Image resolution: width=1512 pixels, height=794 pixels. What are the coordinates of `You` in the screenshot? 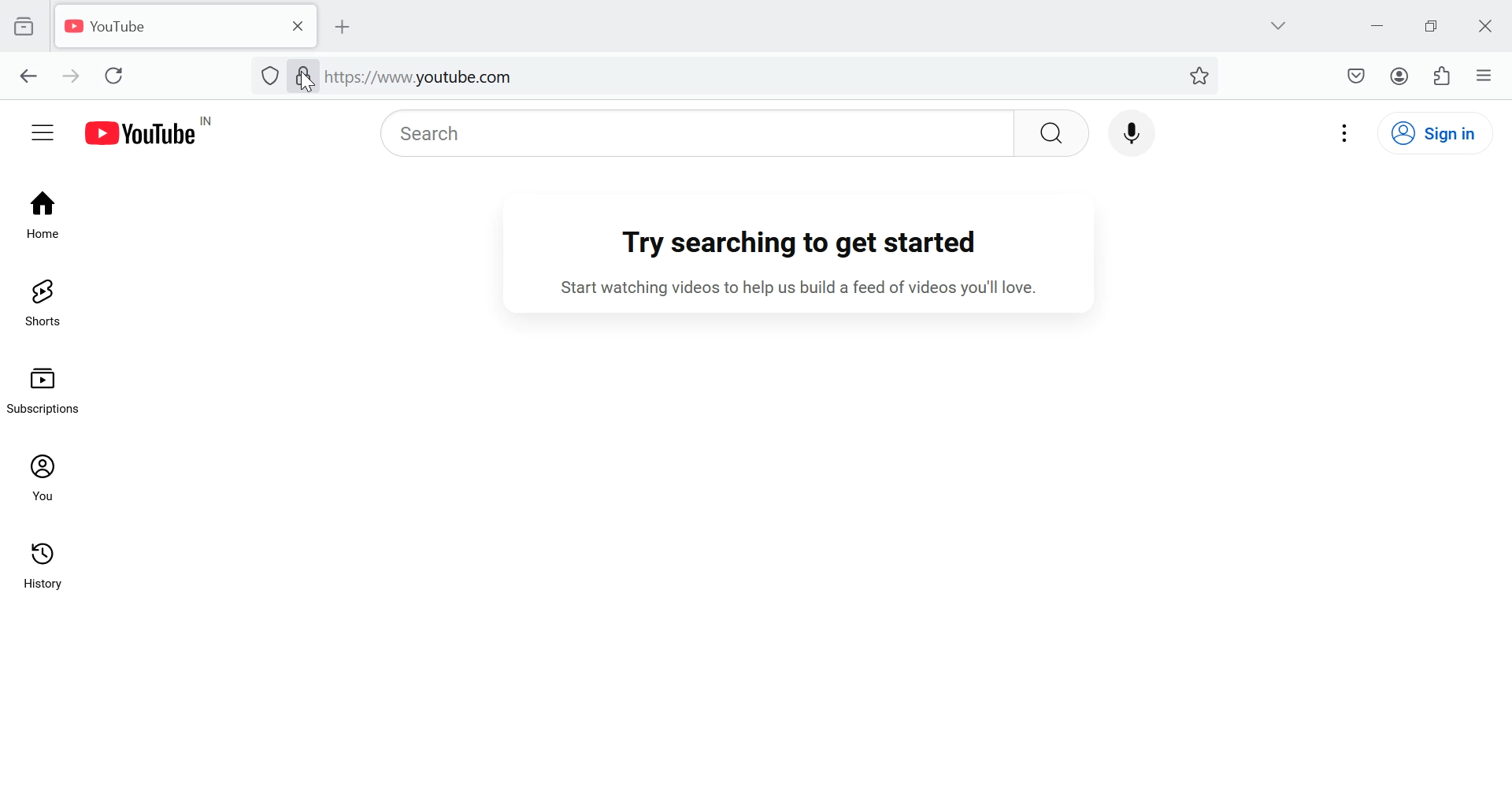 It's located at (46, 477).